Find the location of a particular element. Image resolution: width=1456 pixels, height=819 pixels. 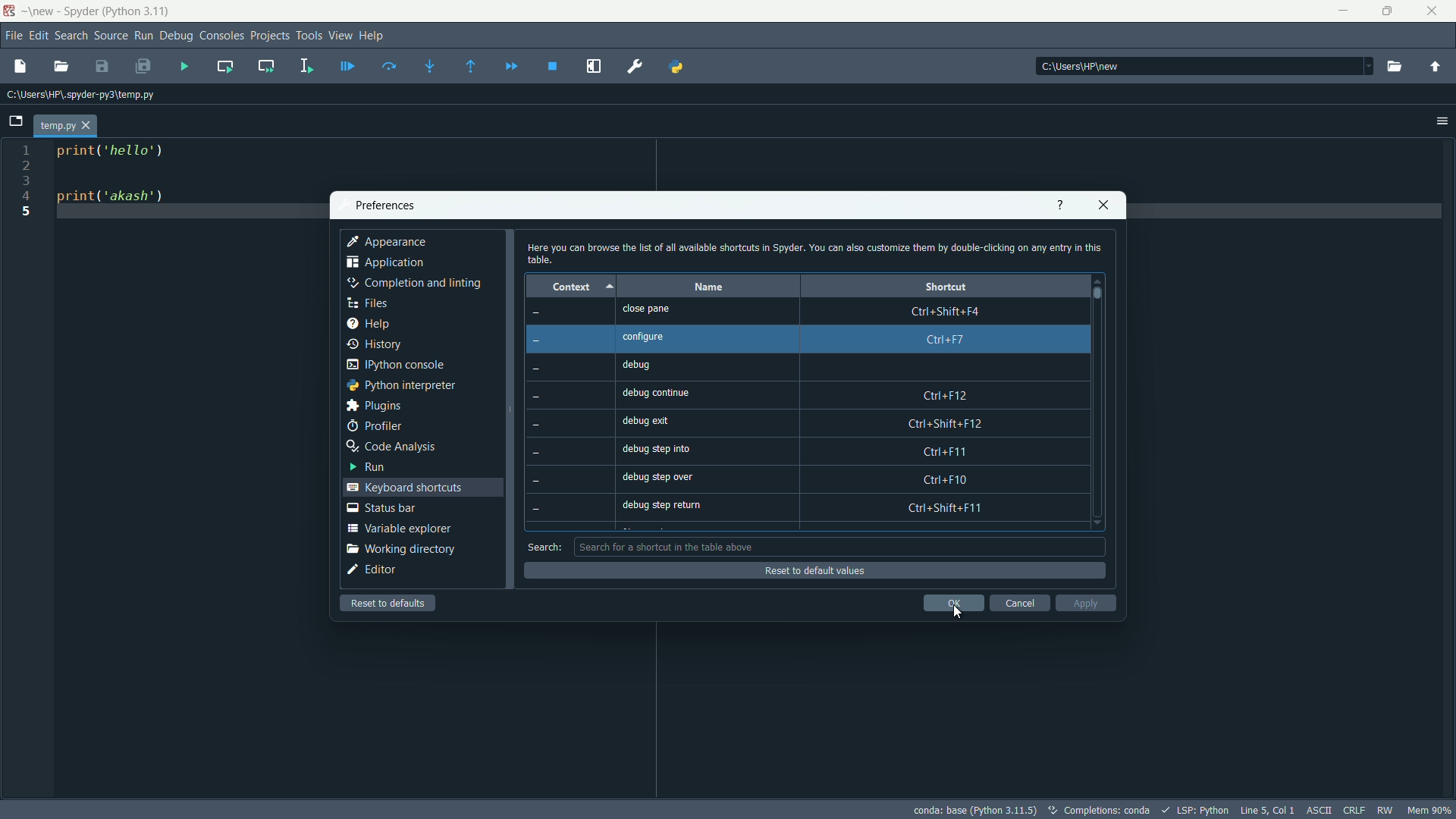

interpreter is located at coordinates (980, 813).